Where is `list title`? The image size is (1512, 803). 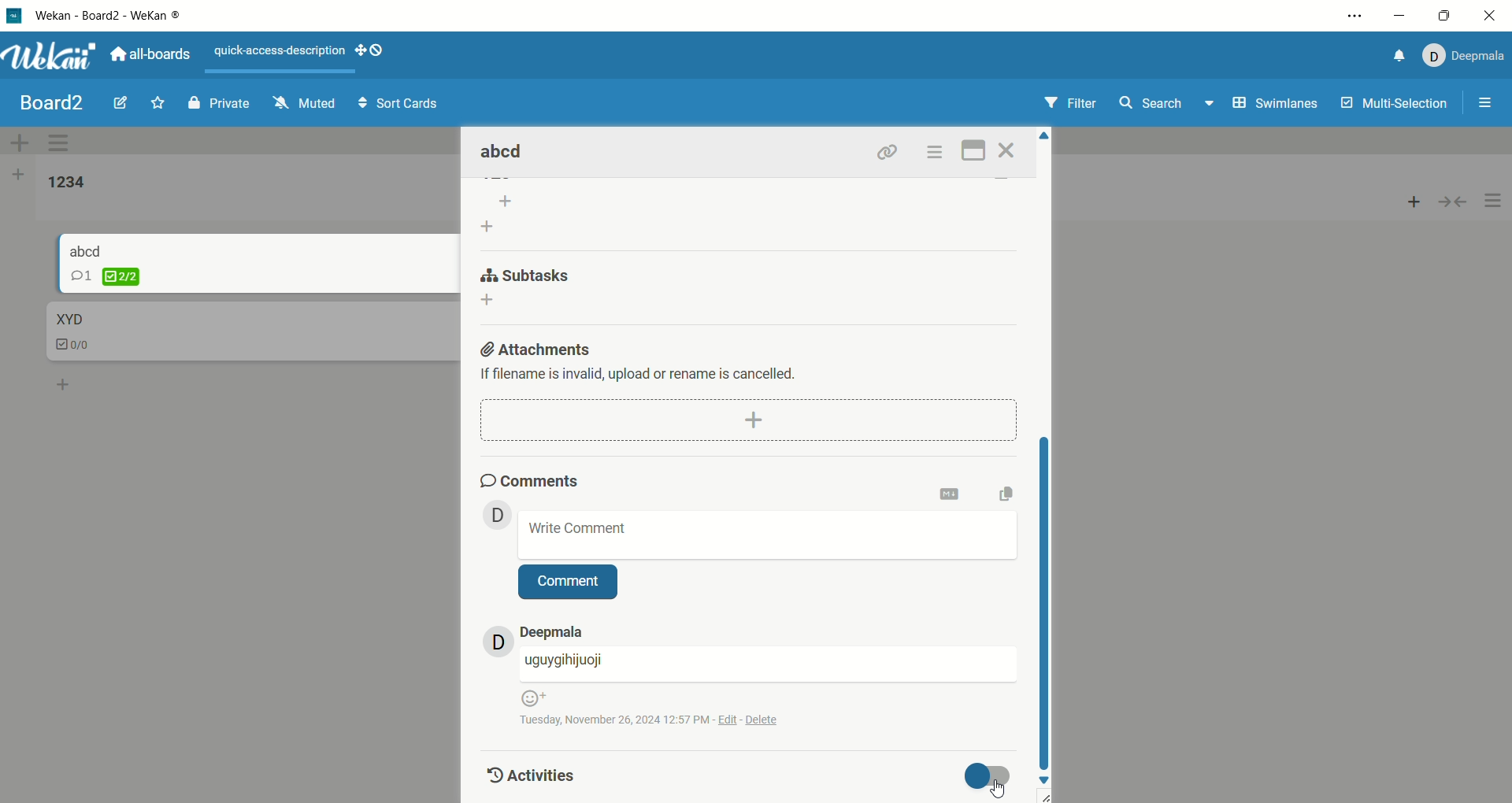
list title is located at coordinates (67, 183).